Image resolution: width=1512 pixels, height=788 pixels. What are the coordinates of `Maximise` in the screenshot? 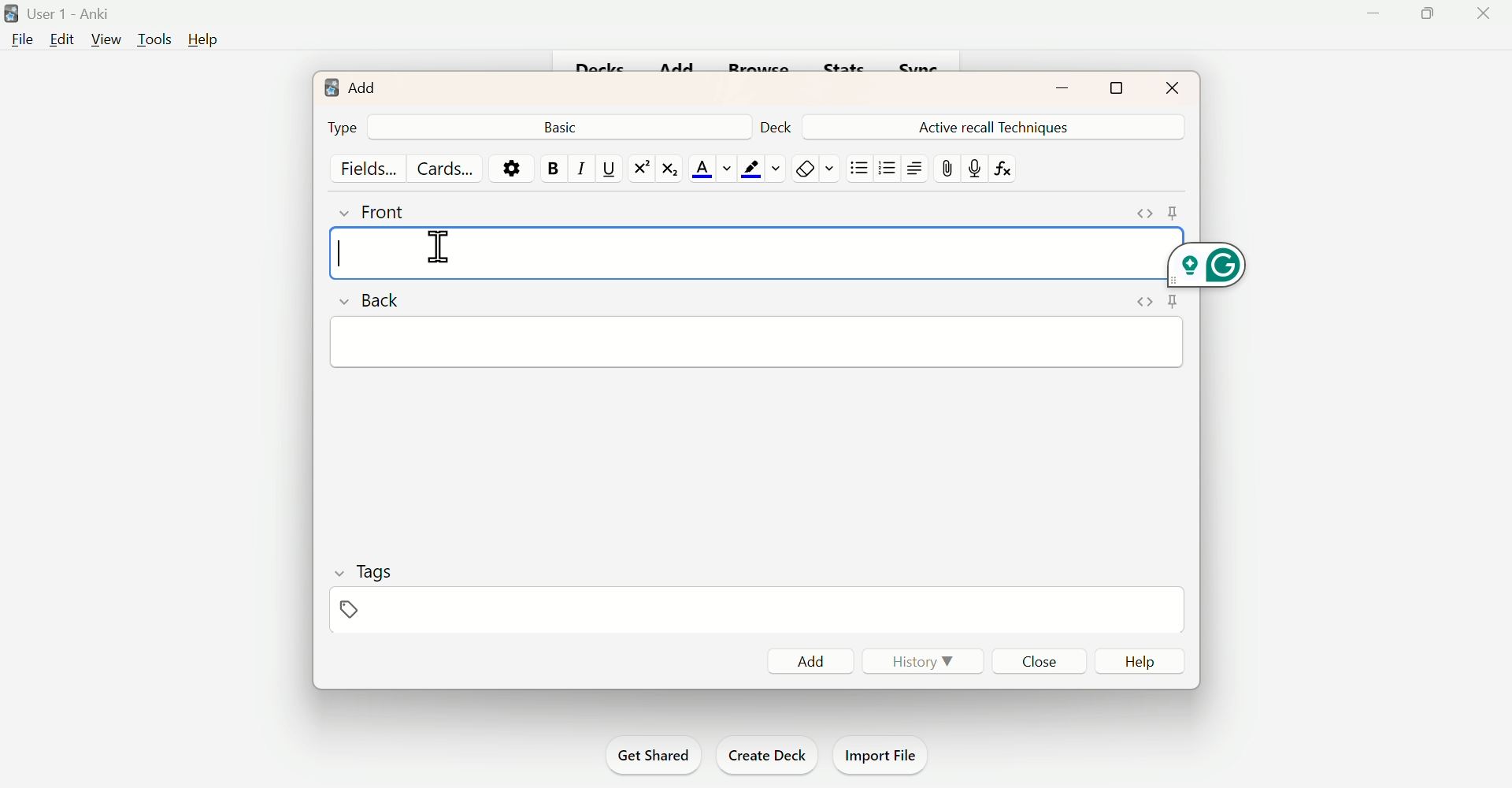 It's located at (1426, 13).